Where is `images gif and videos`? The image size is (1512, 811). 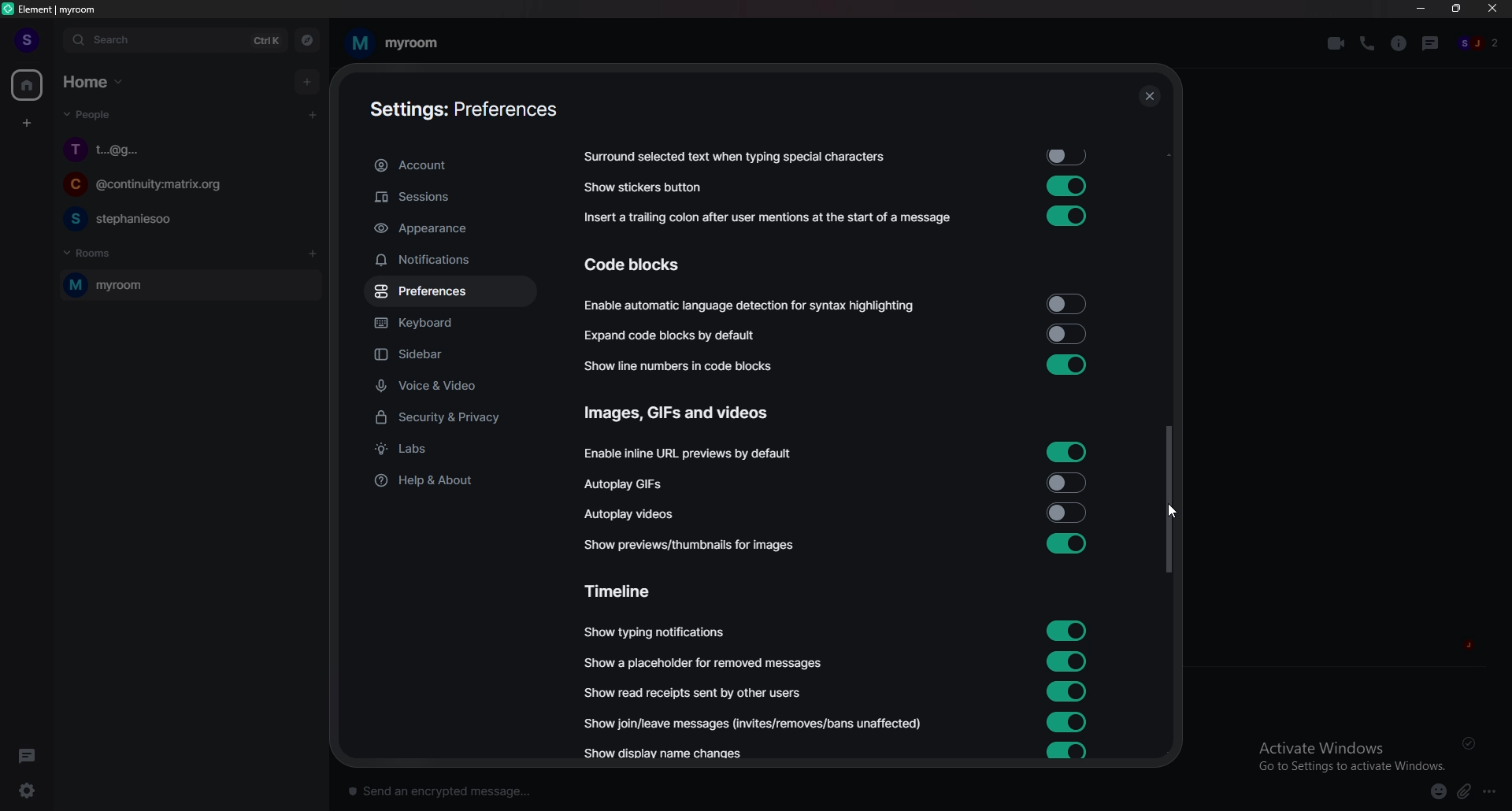 images gif and videos is located at coordinates (680, 413).